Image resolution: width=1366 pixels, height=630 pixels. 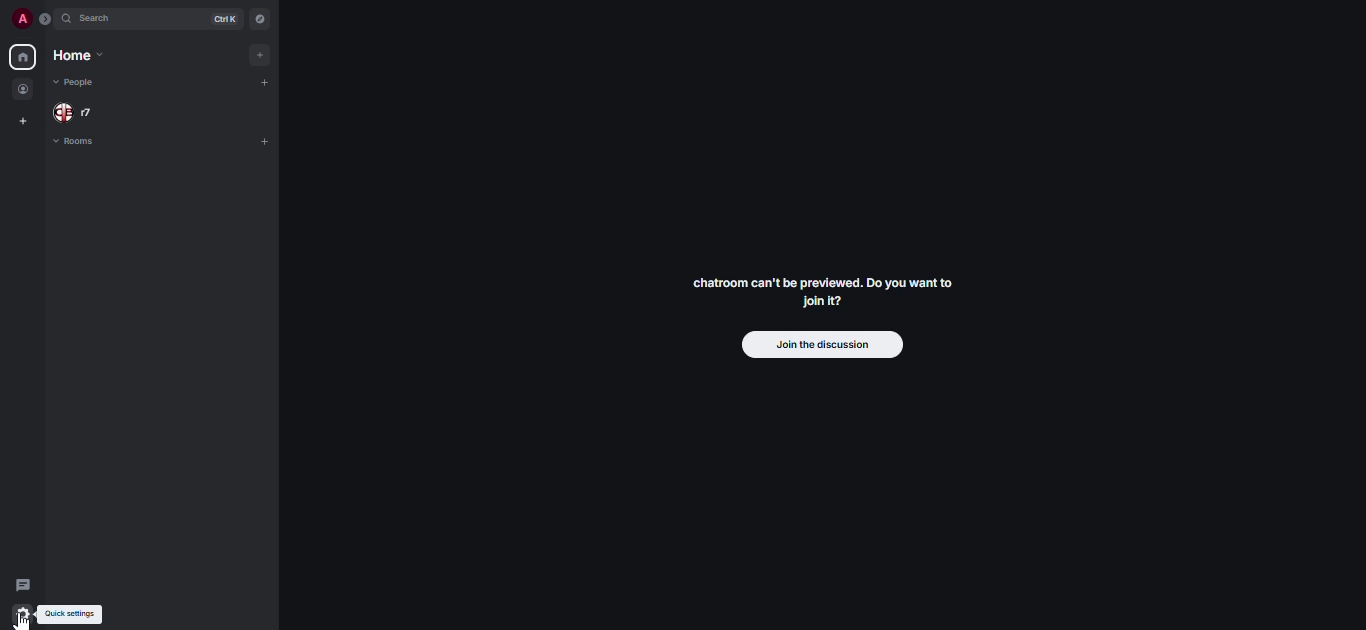 I want to click on search, so click(x=96, y=19).